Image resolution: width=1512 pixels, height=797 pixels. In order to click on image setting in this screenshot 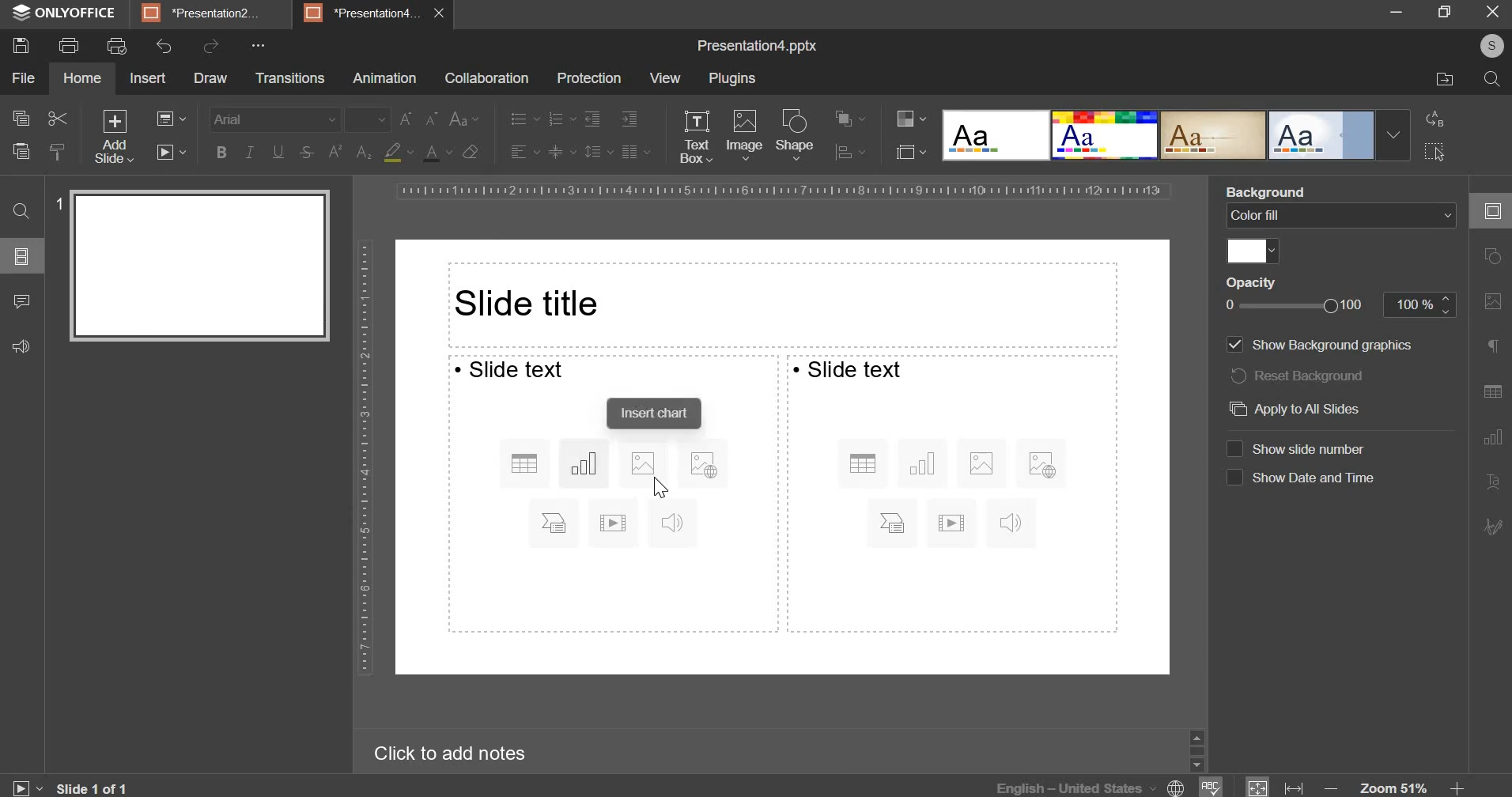, I will do `click(1490, 301)`.